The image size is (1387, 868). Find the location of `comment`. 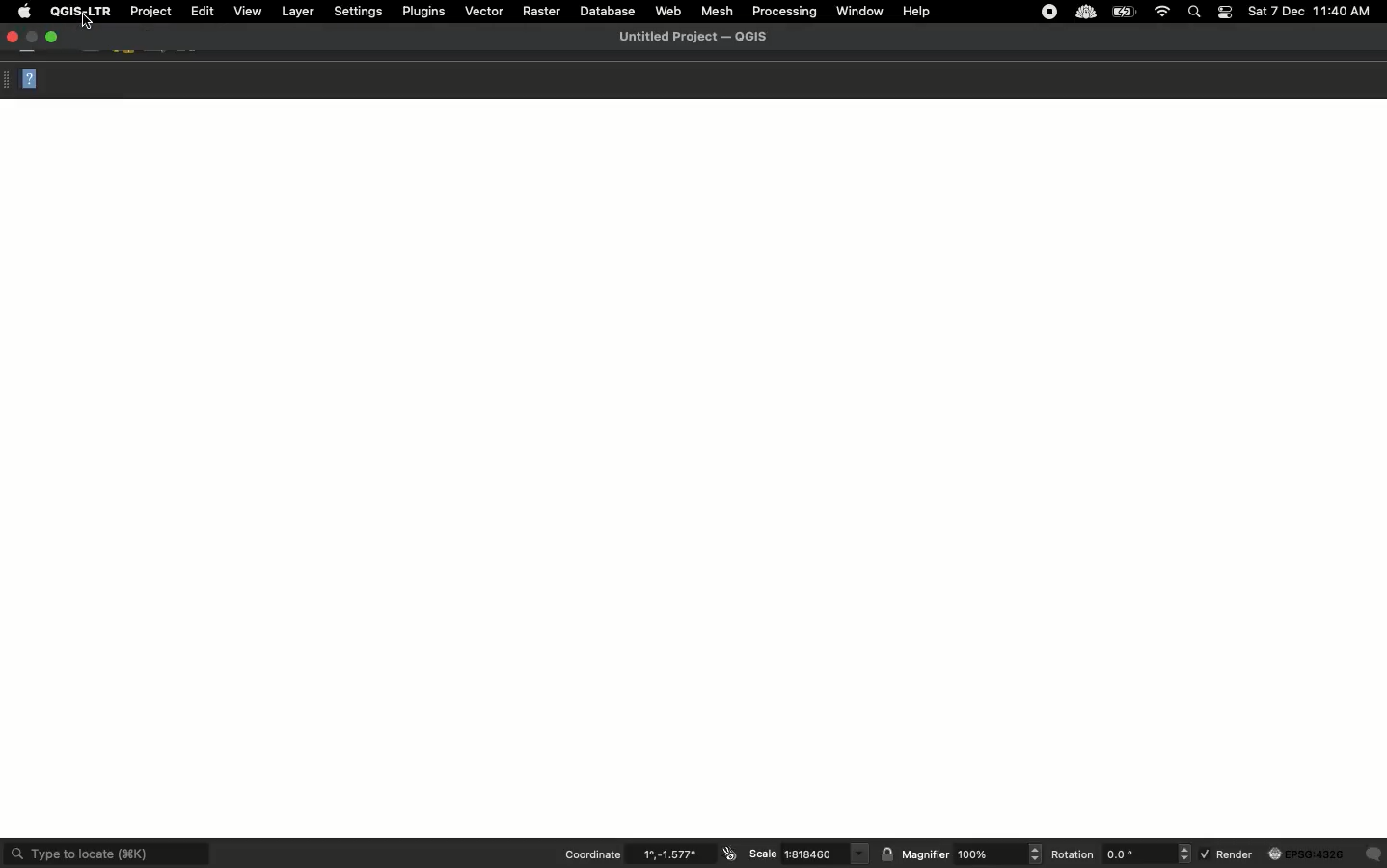

comment is located at coordinates (1373, 853).